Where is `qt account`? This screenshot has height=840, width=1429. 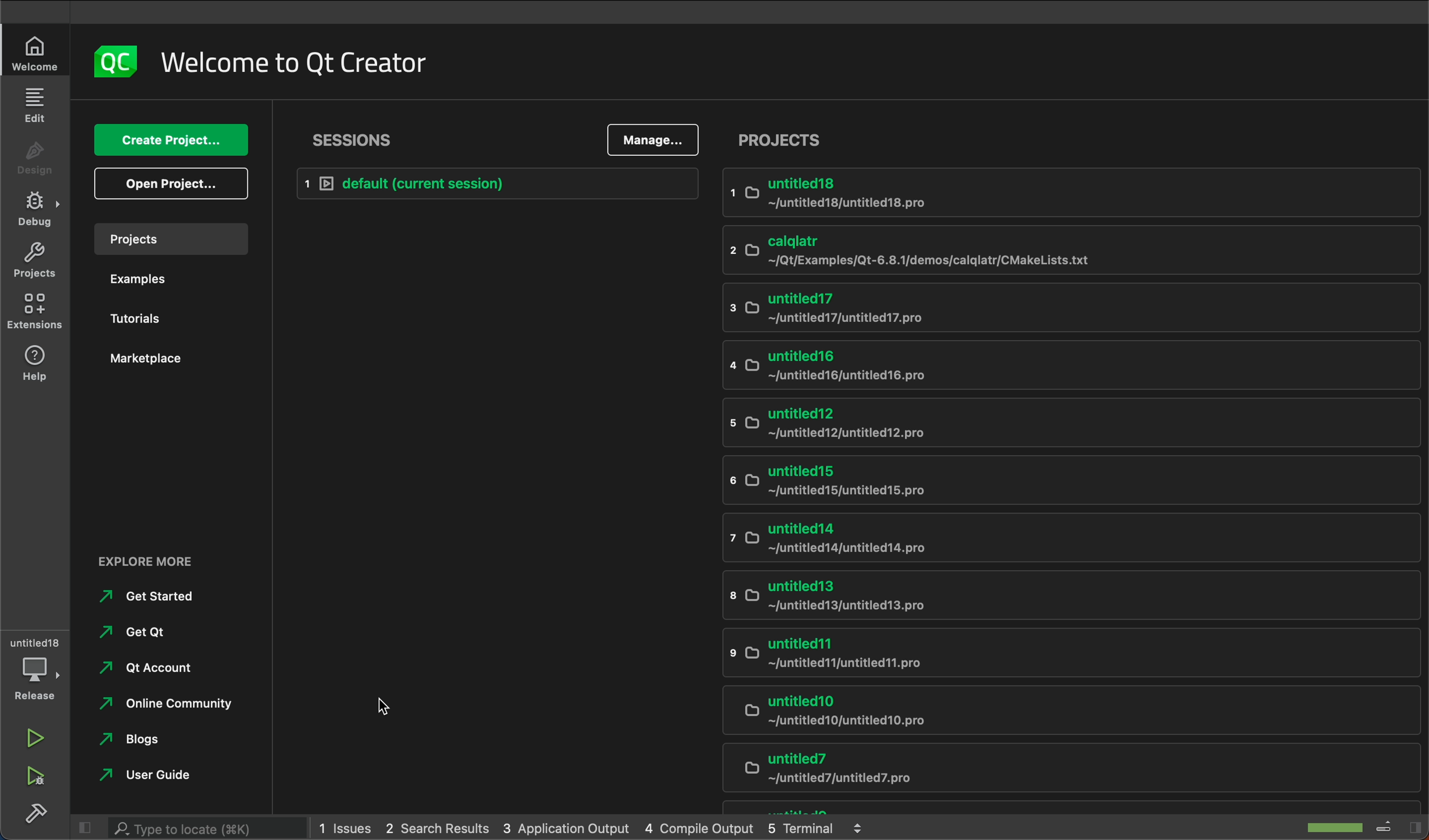
qt account is located at coordinates (139, 666).